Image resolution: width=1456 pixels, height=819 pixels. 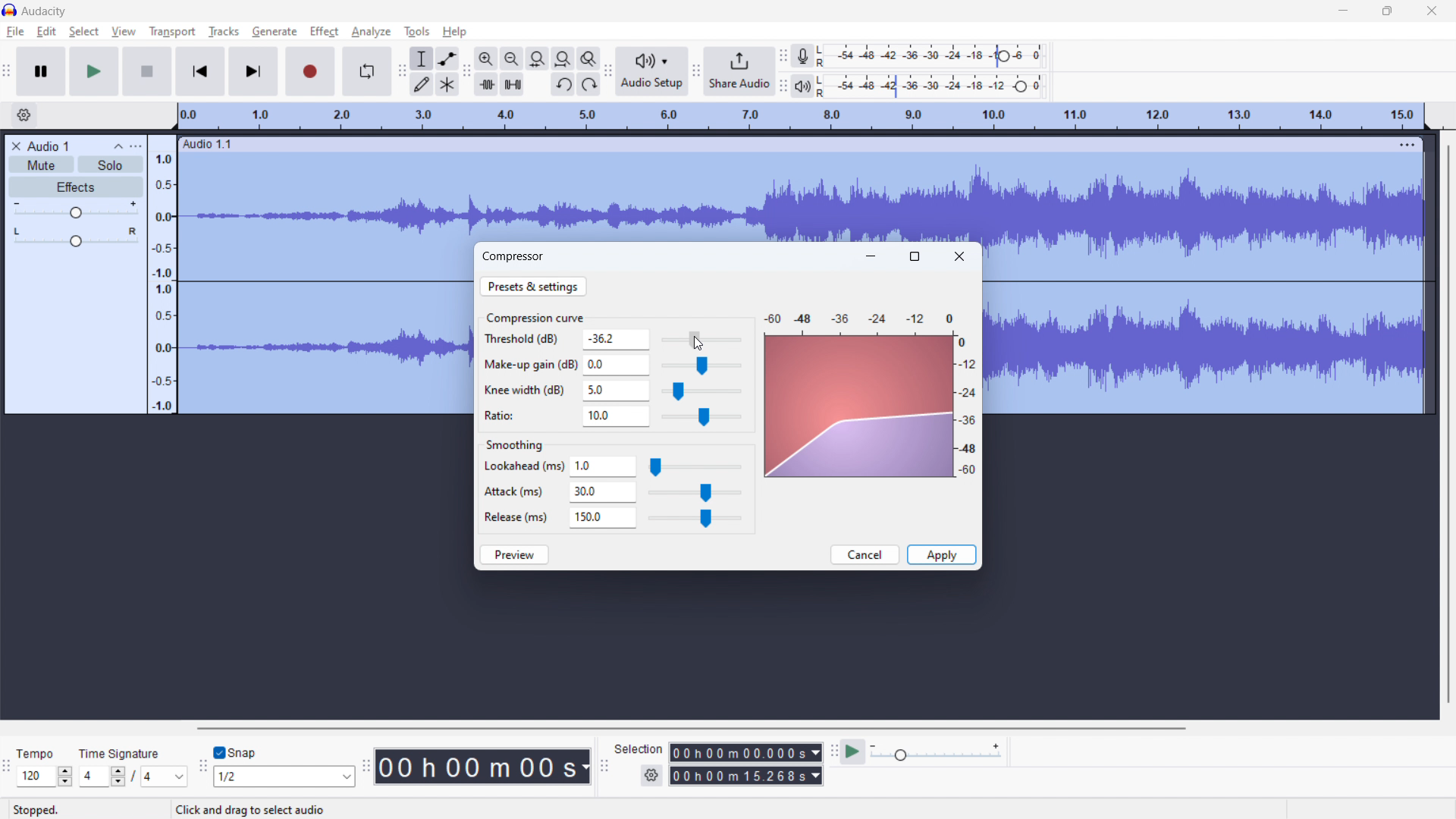 I want to click on stop, so click(x=147, y=71).